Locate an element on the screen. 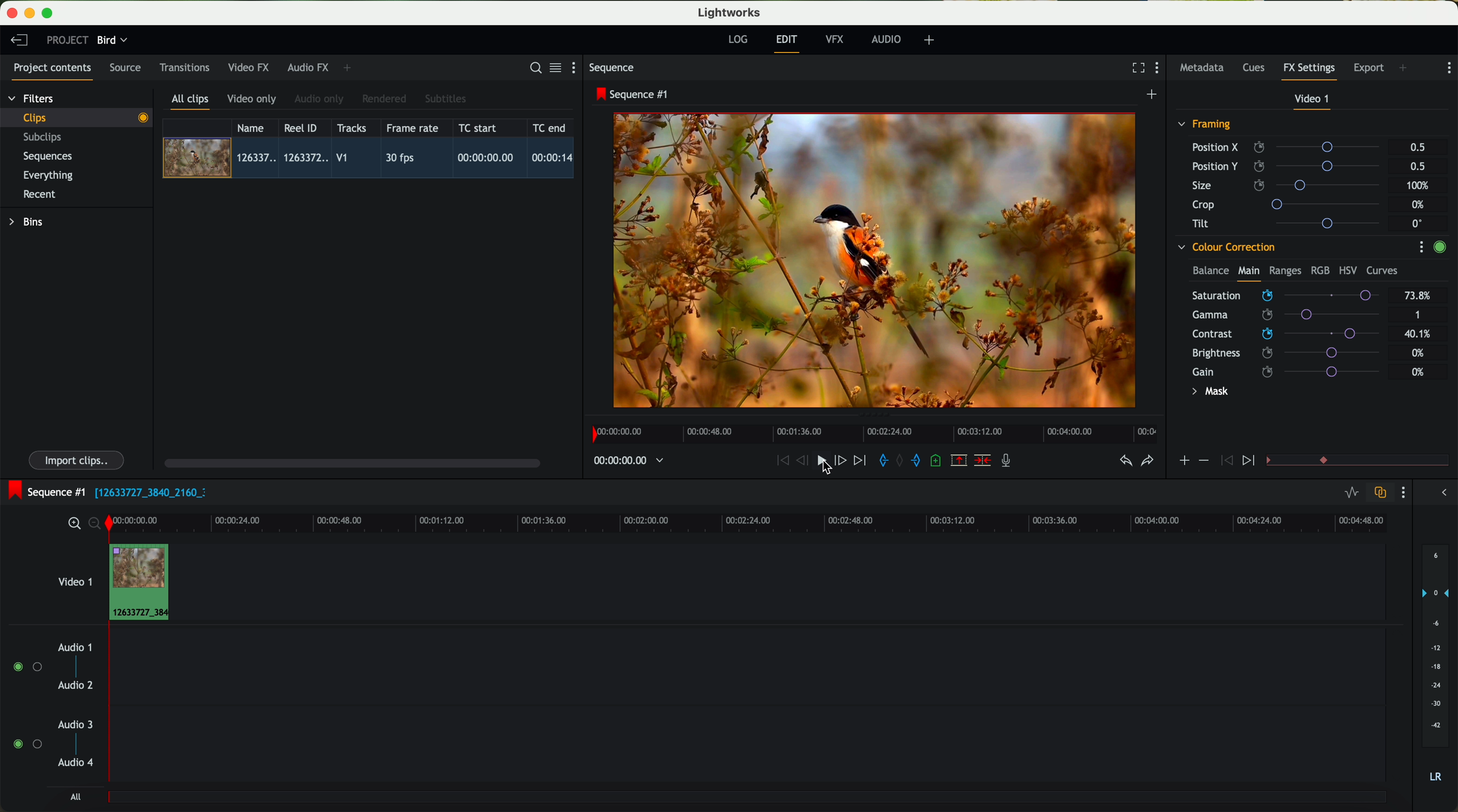 This screenshot has width=1458, height=812. brightness is located at coordinates (1295, 353).